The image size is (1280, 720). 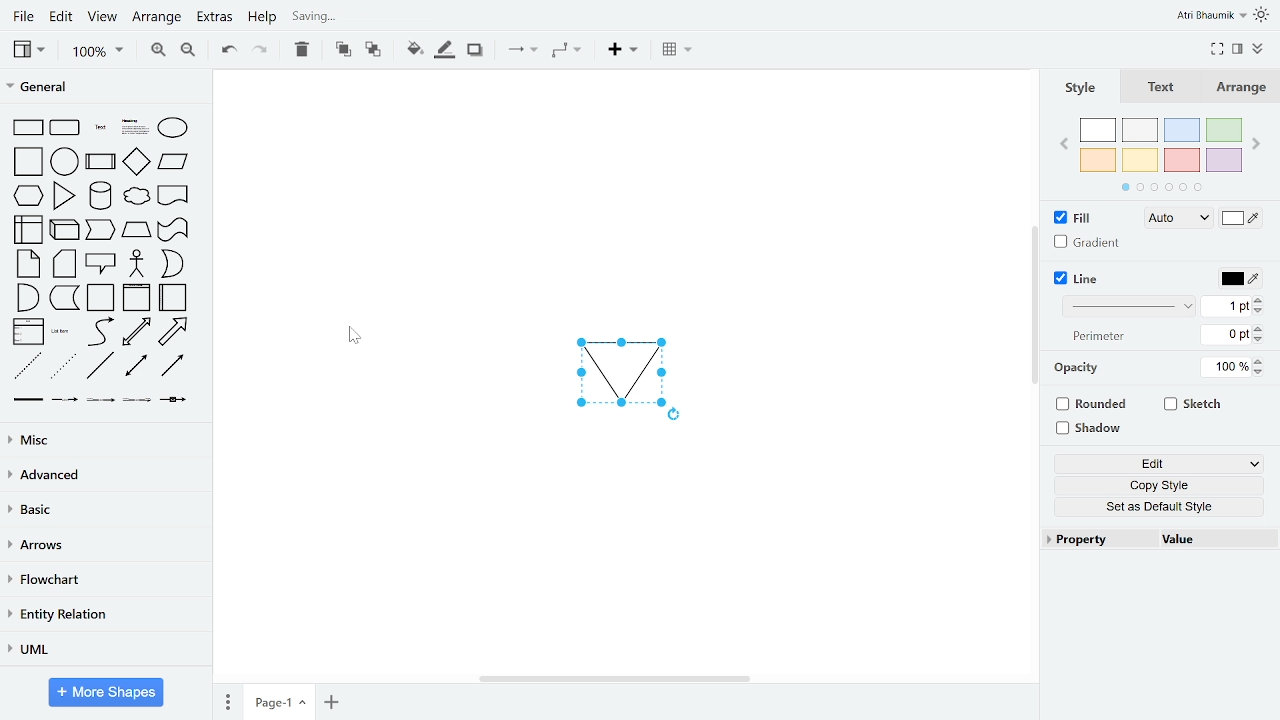 I want to click on card, so click(x=64, y=264).